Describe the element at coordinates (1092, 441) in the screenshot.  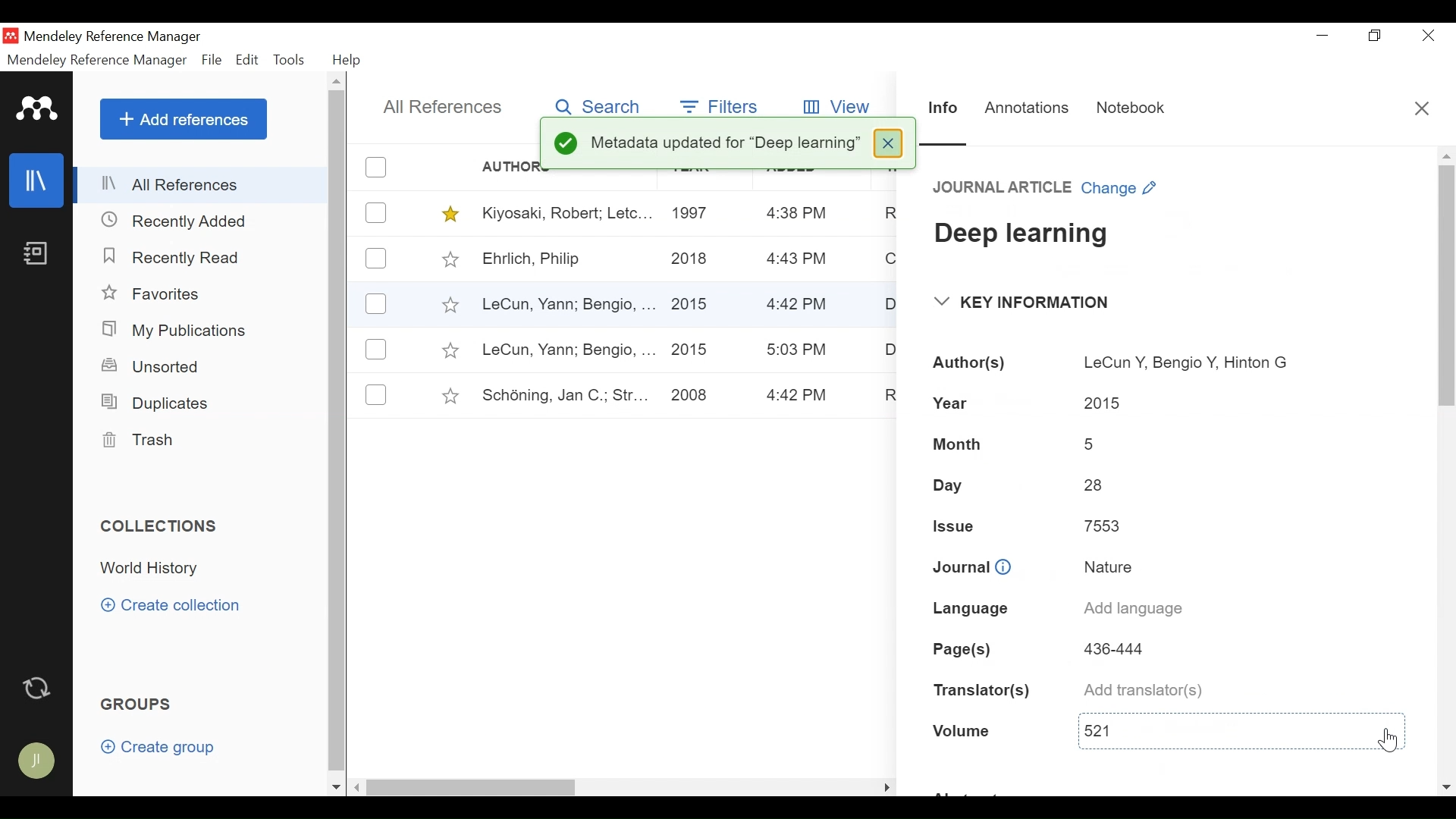
I see `5` at that location.